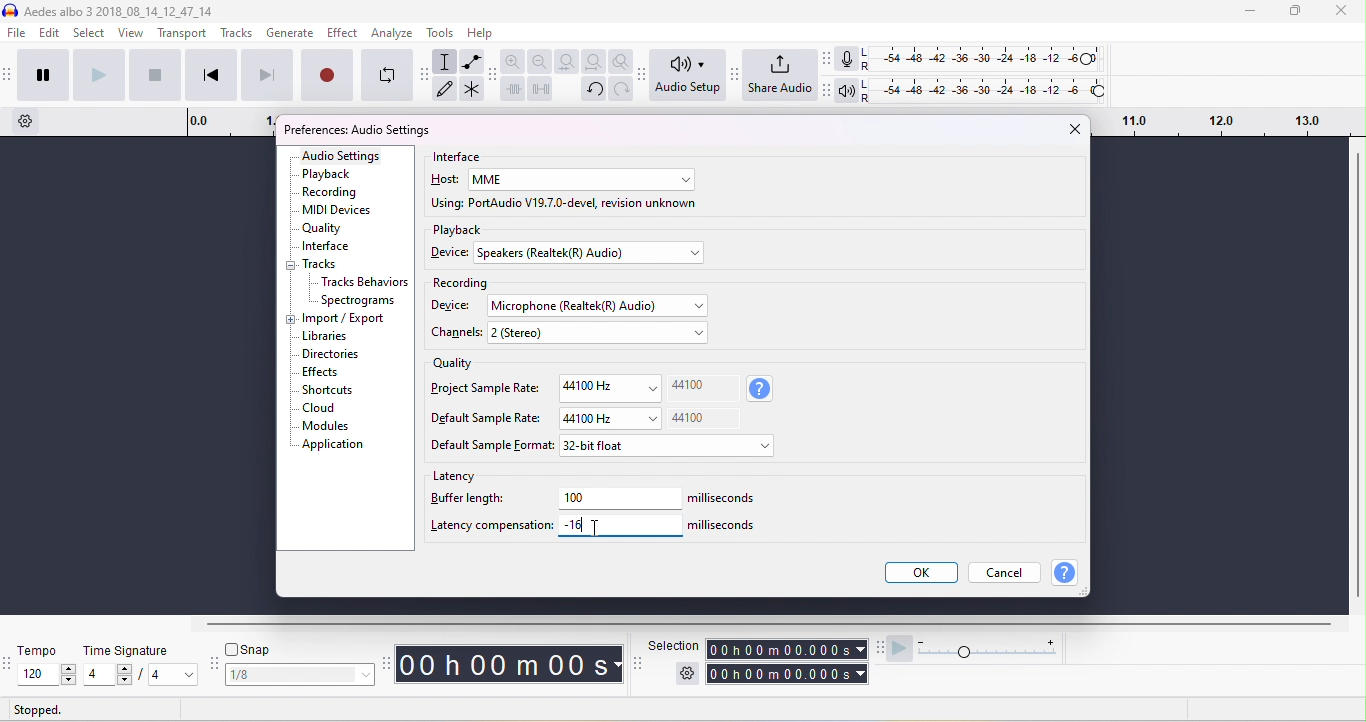 Image resolution: width=1366 pixels, height=722 pixels. Describe the element at coordinates (673, 646) in the screenshot. I see `selection` at that location.